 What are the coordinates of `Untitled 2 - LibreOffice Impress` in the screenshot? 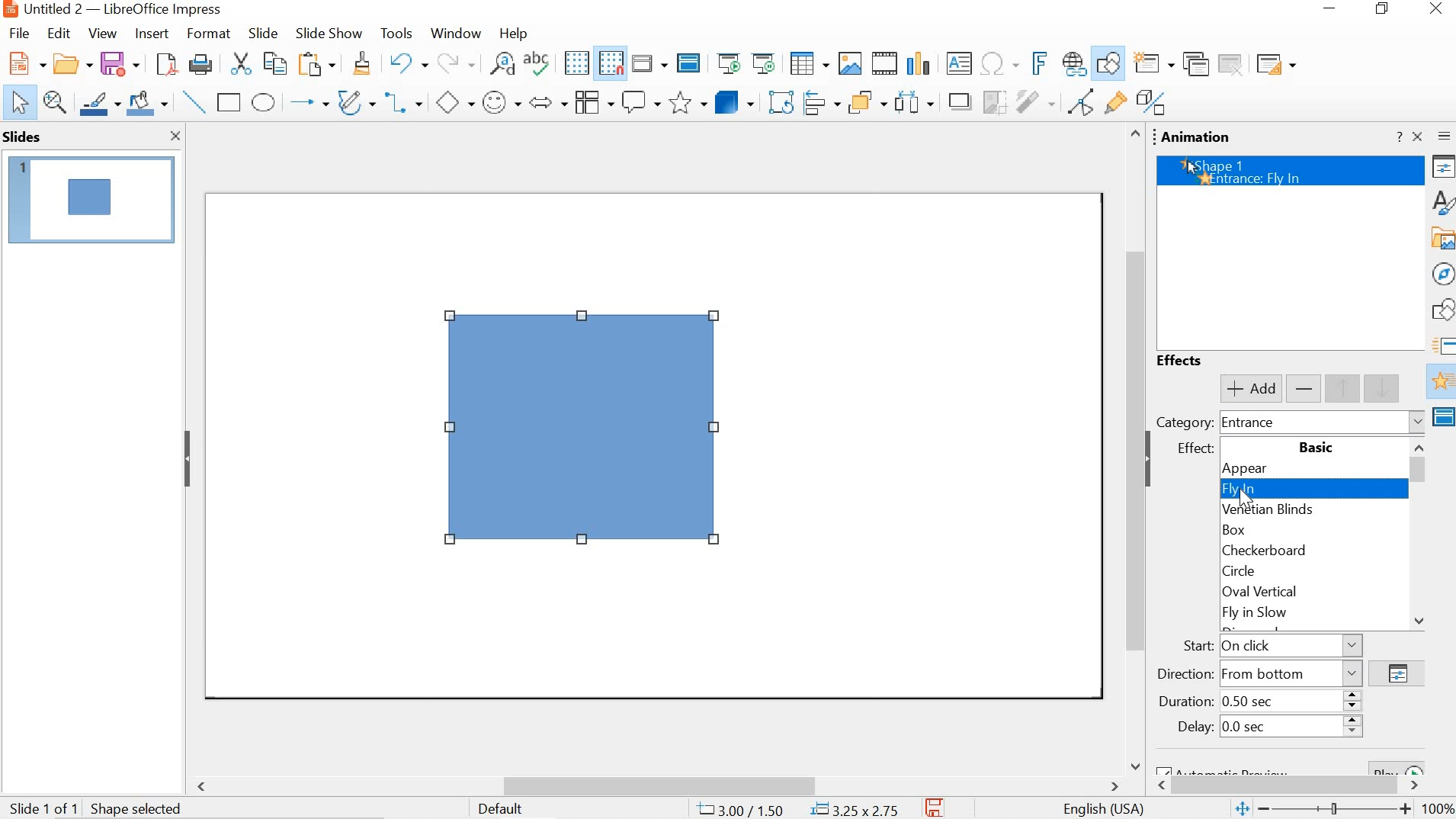 It's located at (110, 10).